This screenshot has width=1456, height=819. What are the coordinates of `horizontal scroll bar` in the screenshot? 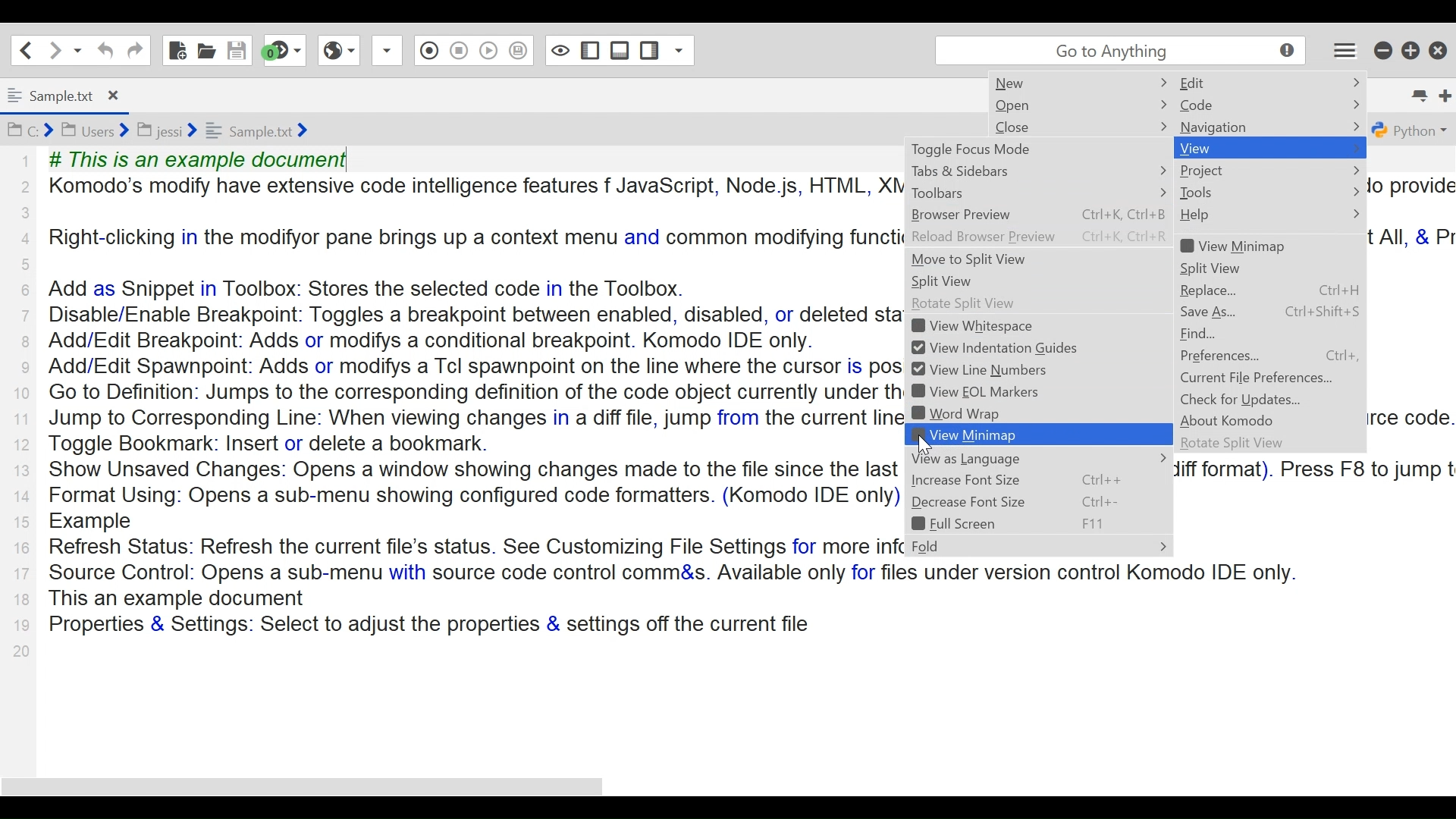 It's located at (318, 786).